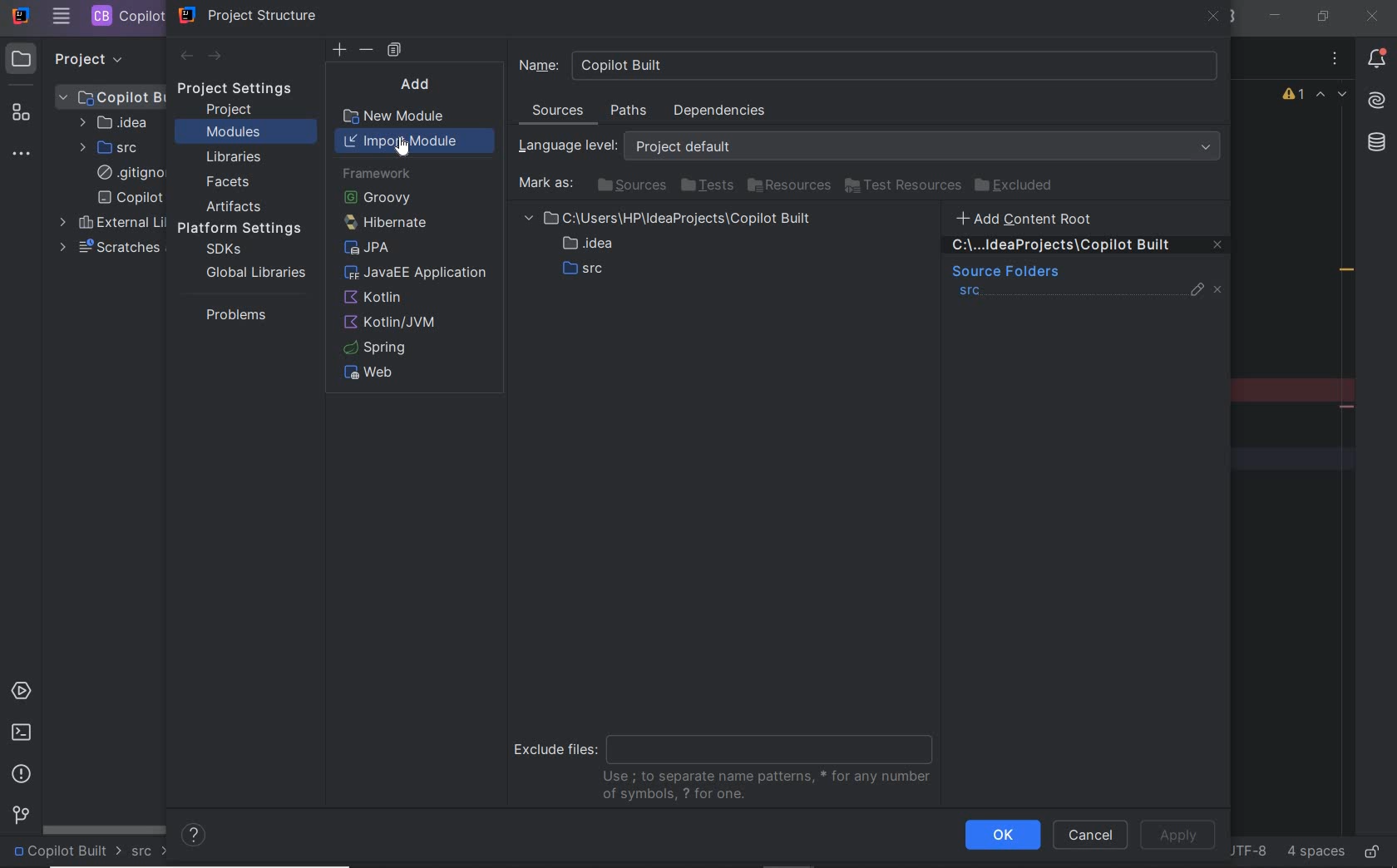 The width and height of the screenshot is (1397, 868). Describe the element at coordinates (1088, 248) in the screenshot. I see `remove content entry` at that location.